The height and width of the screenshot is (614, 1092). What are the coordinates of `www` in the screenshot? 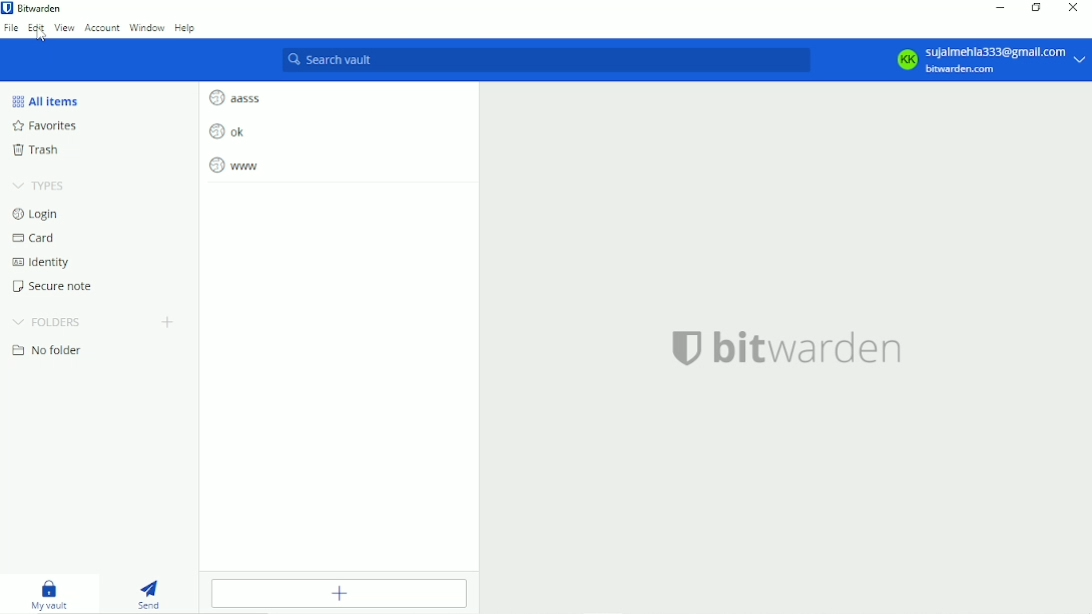 It's located at (235, 165).